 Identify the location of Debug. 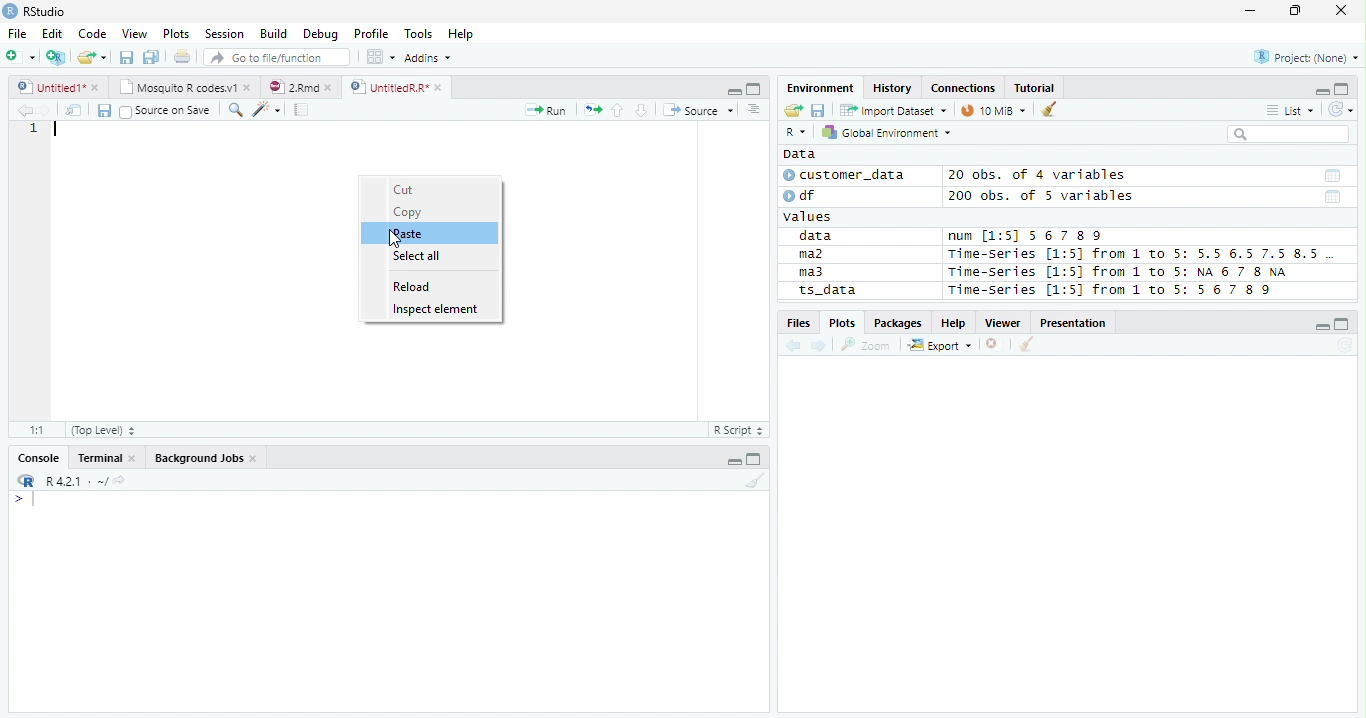
(321, 35).